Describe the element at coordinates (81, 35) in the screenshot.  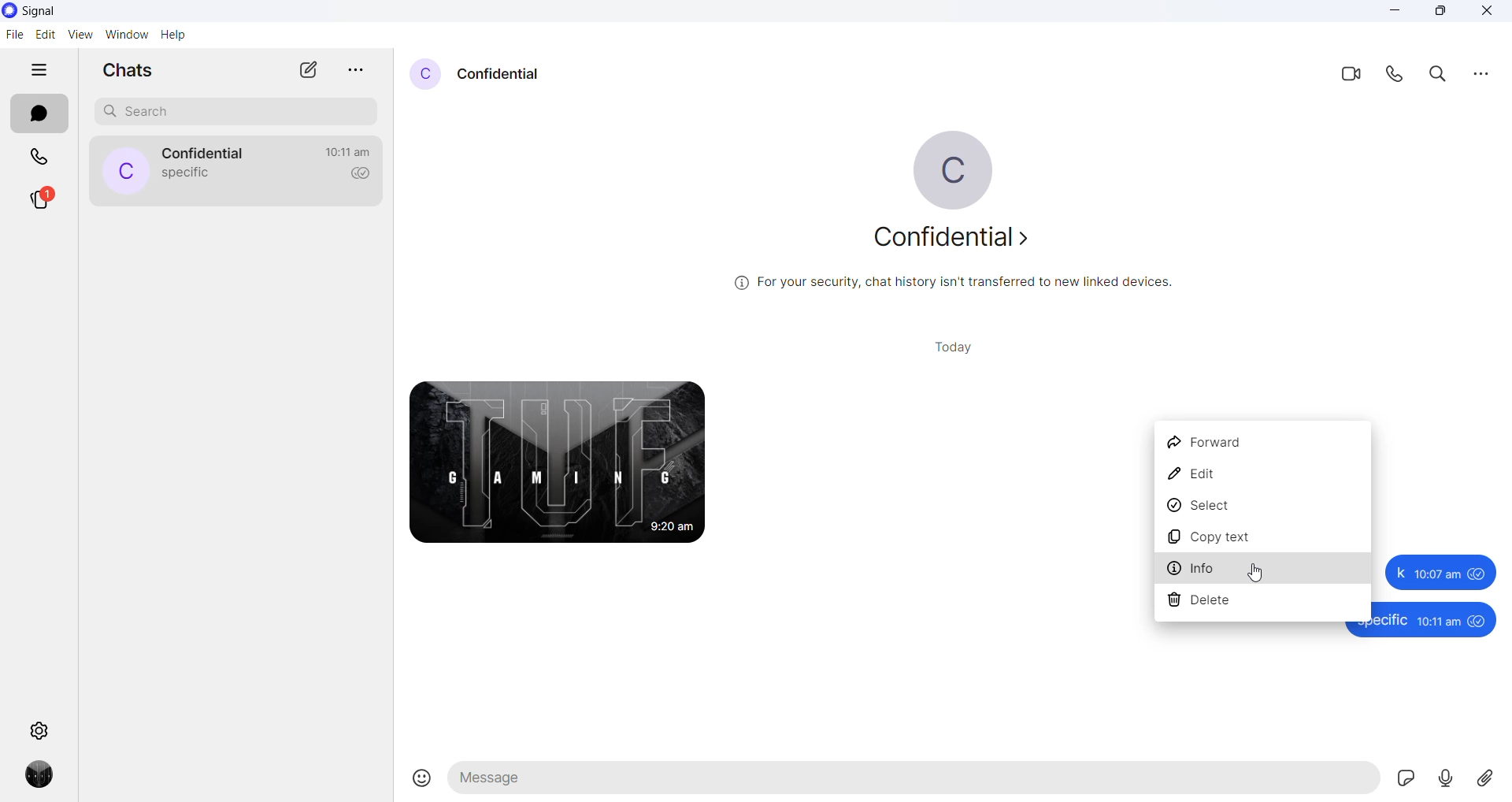
I see `view` at that location.